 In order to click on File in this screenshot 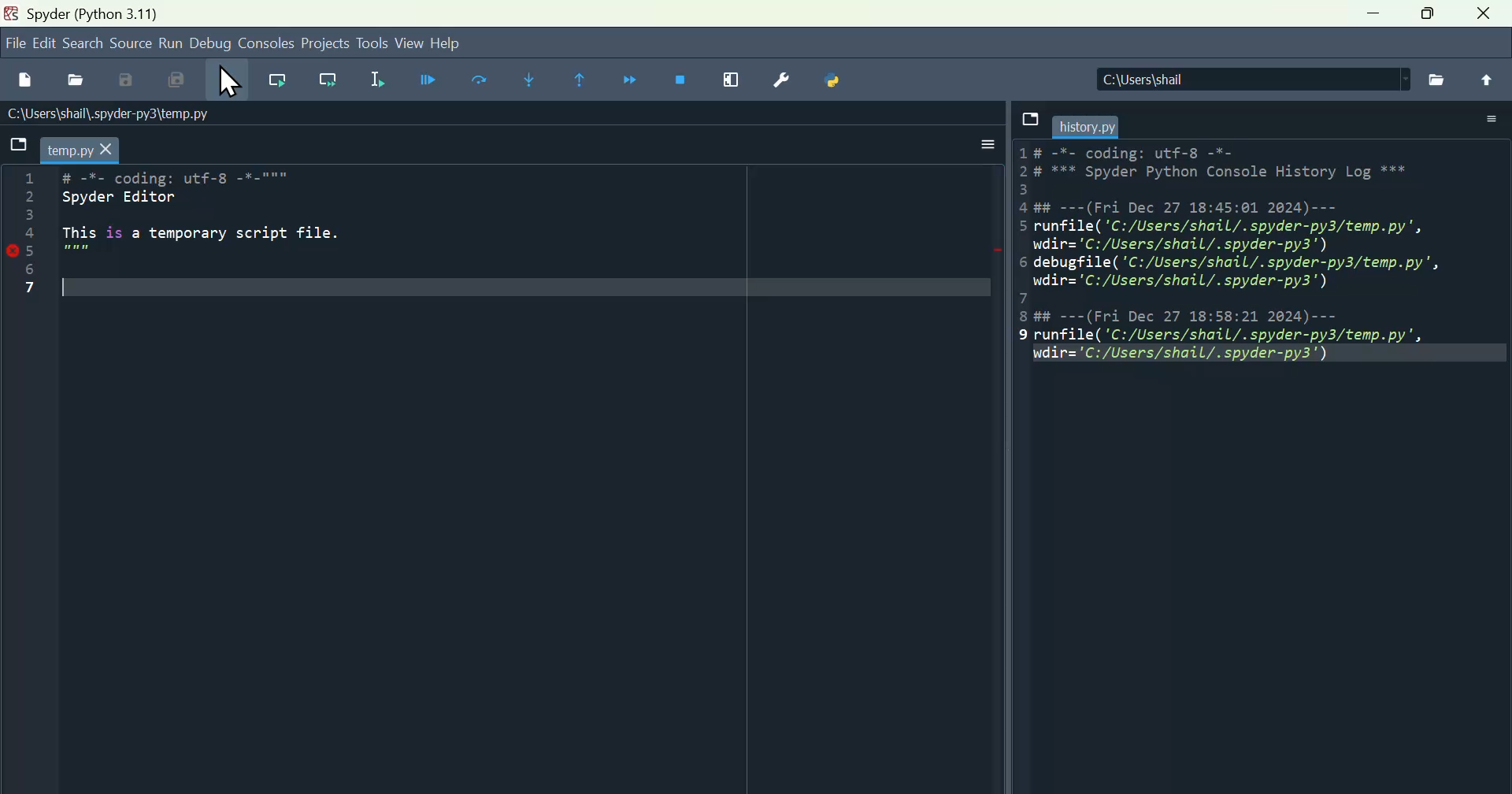, I will do `click(16, 145)`.